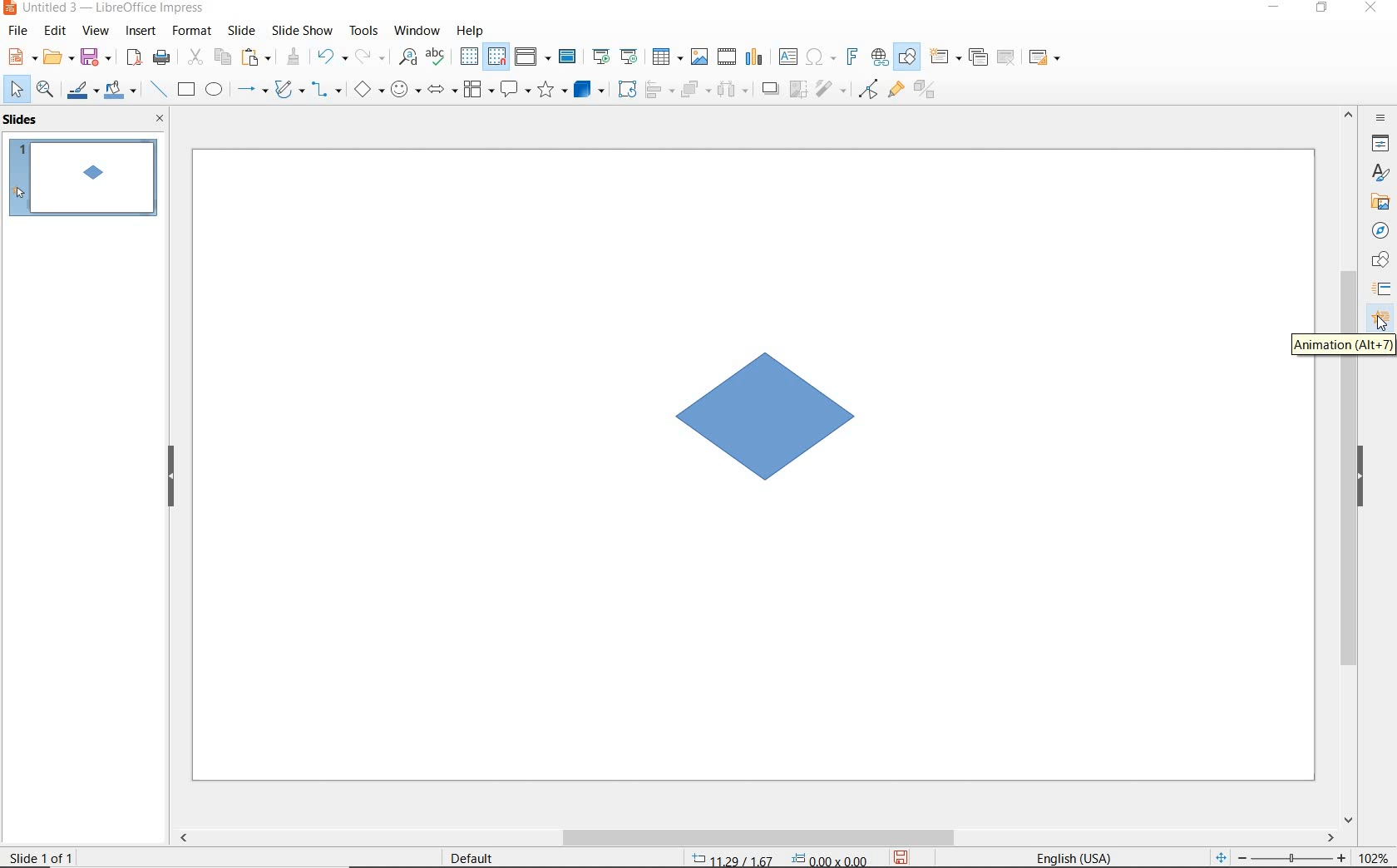  What do you see at coordinates (304, 31) in the screenshot?
I see `slide show` at bounding box center [304, 31].